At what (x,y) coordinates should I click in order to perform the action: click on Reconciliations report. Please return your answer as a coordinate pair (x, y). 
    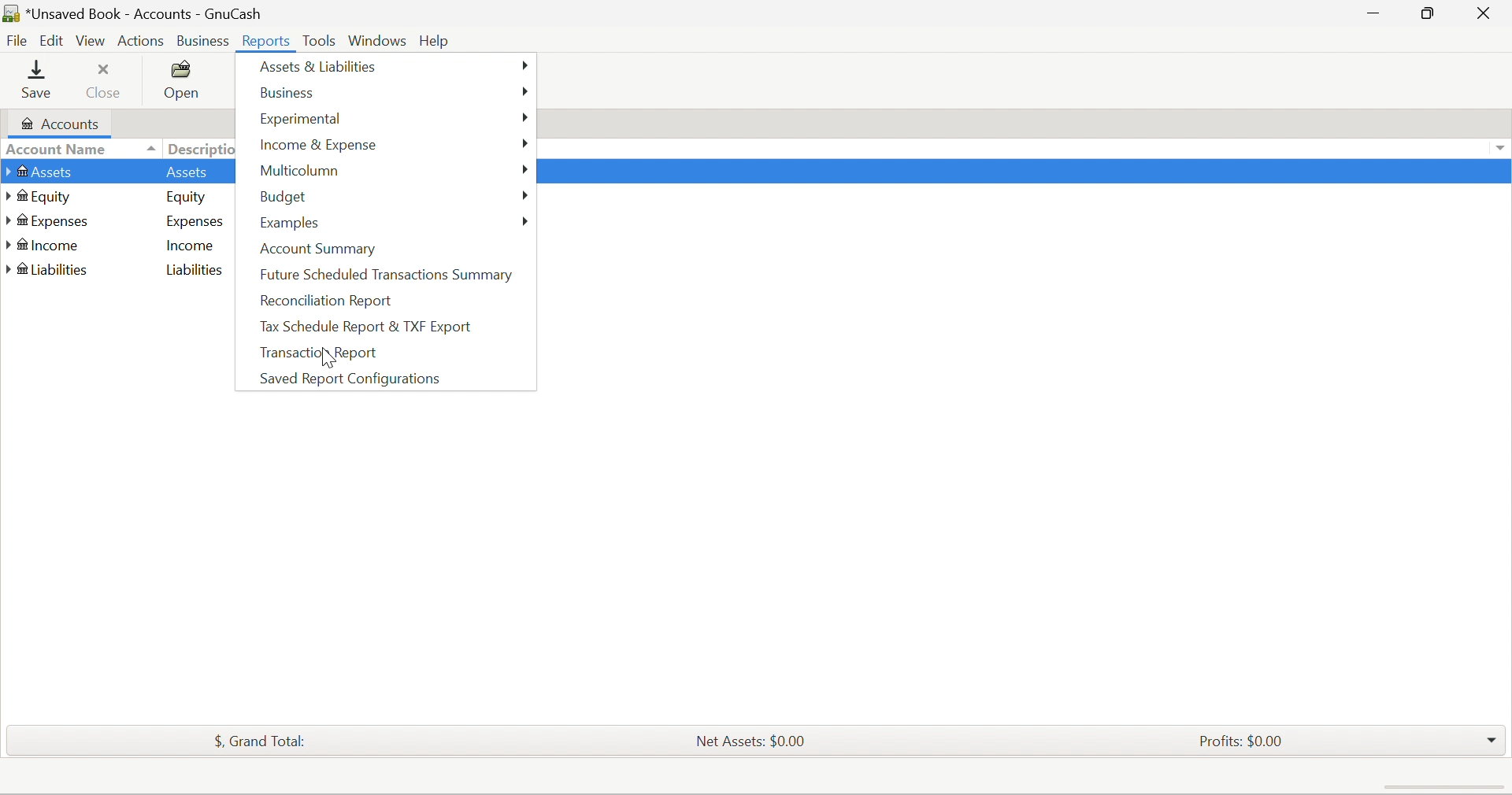
    Looking at the image, I should click on (325, 301).